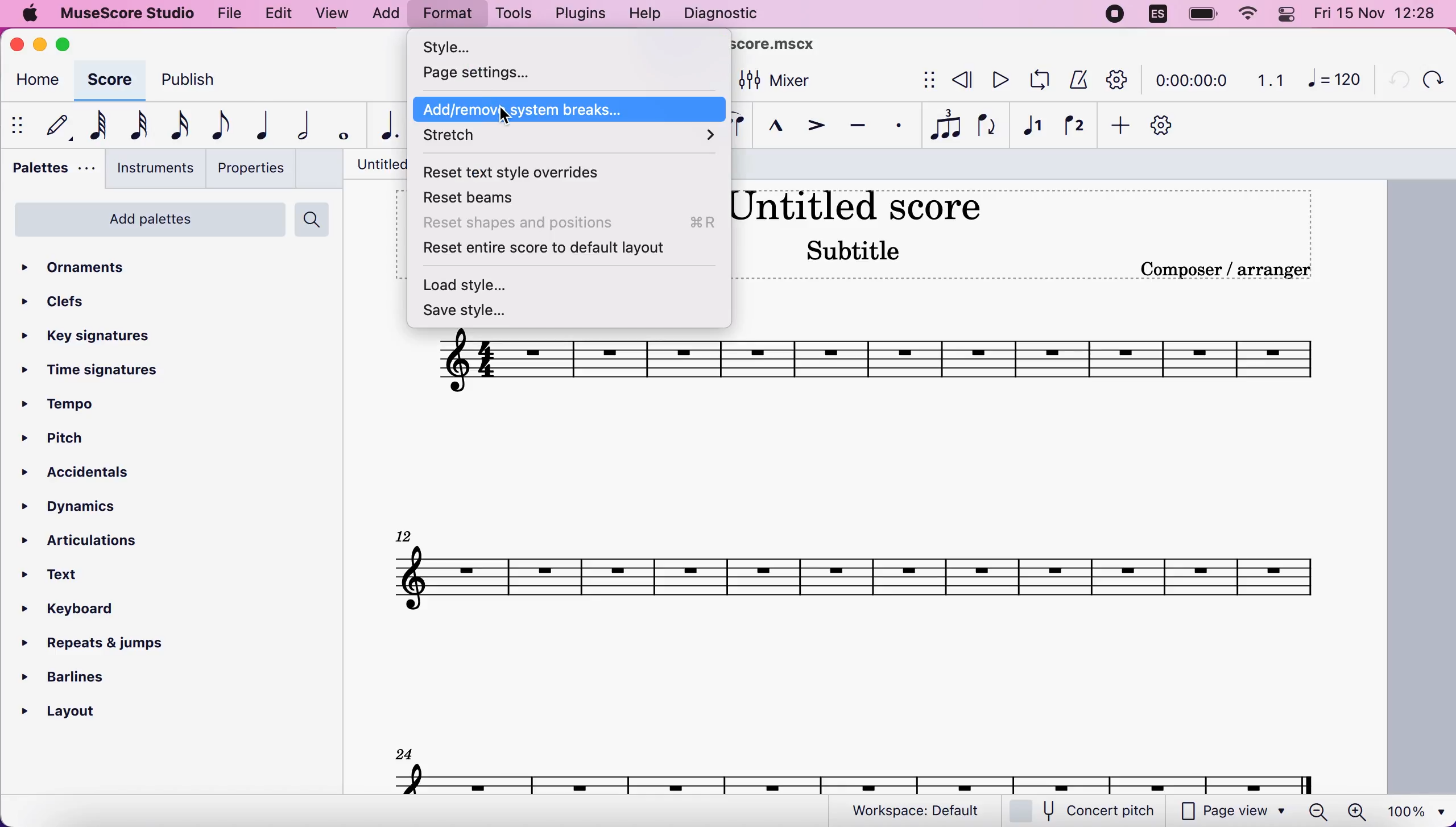 The image size is (1456, 827). I want to click on clefs, so click(57, 301).